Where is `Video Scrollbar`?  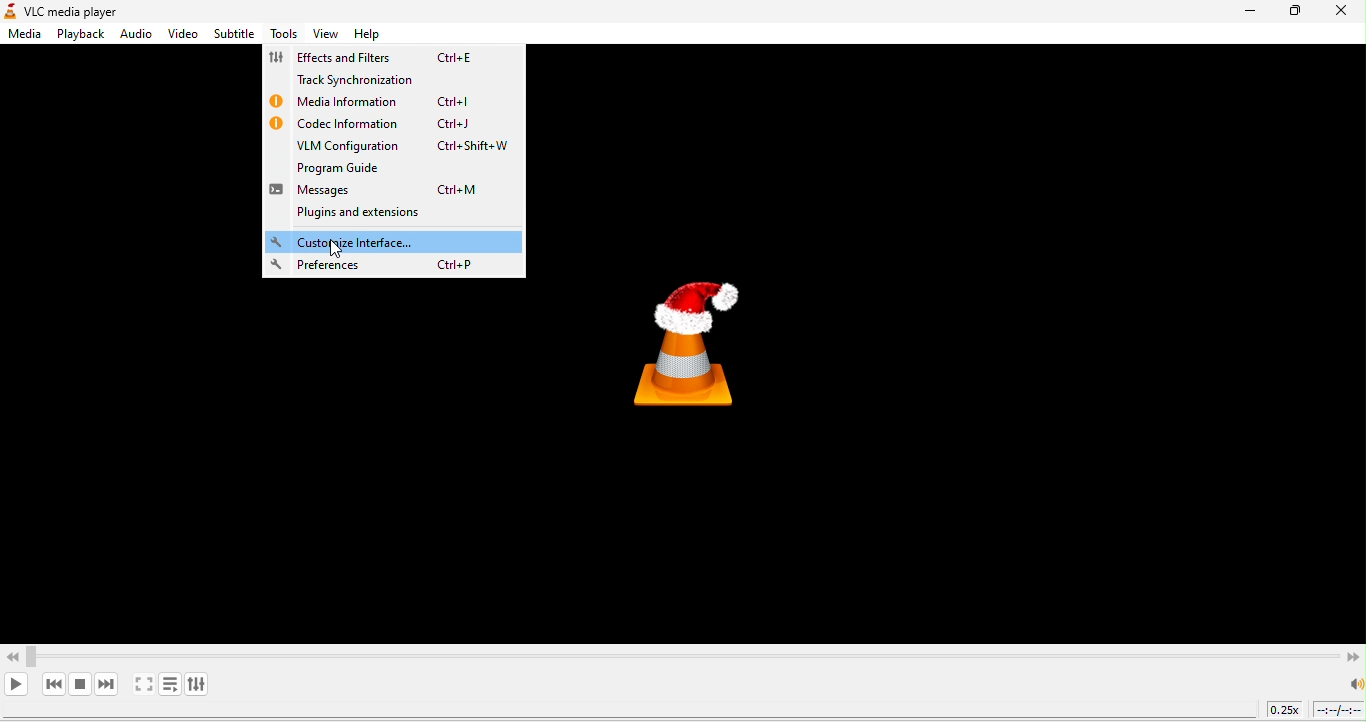
Video Scrollbar is located at coordinates (683, 652).